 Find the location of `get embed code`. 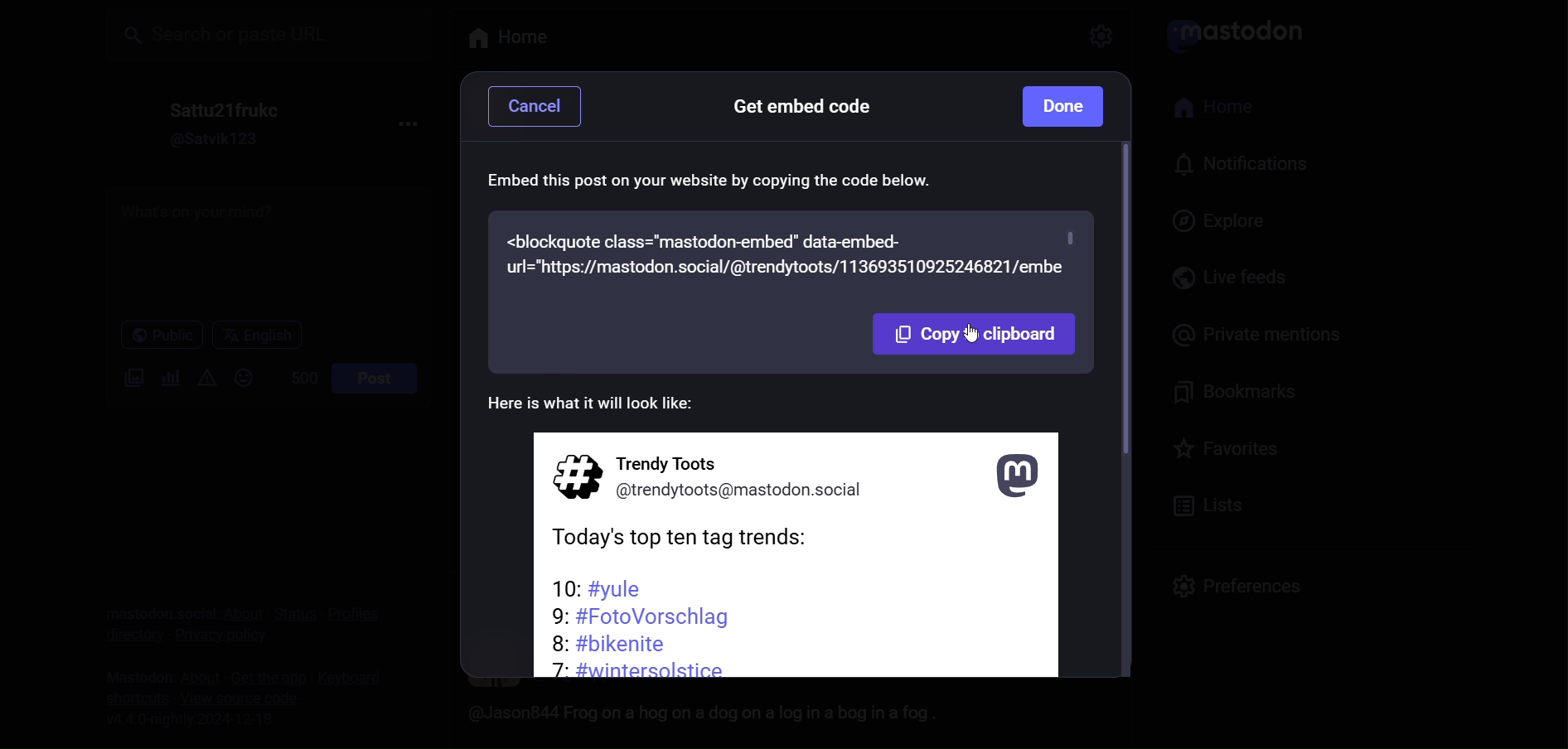

get embed code is located at coordinates (801, 111).